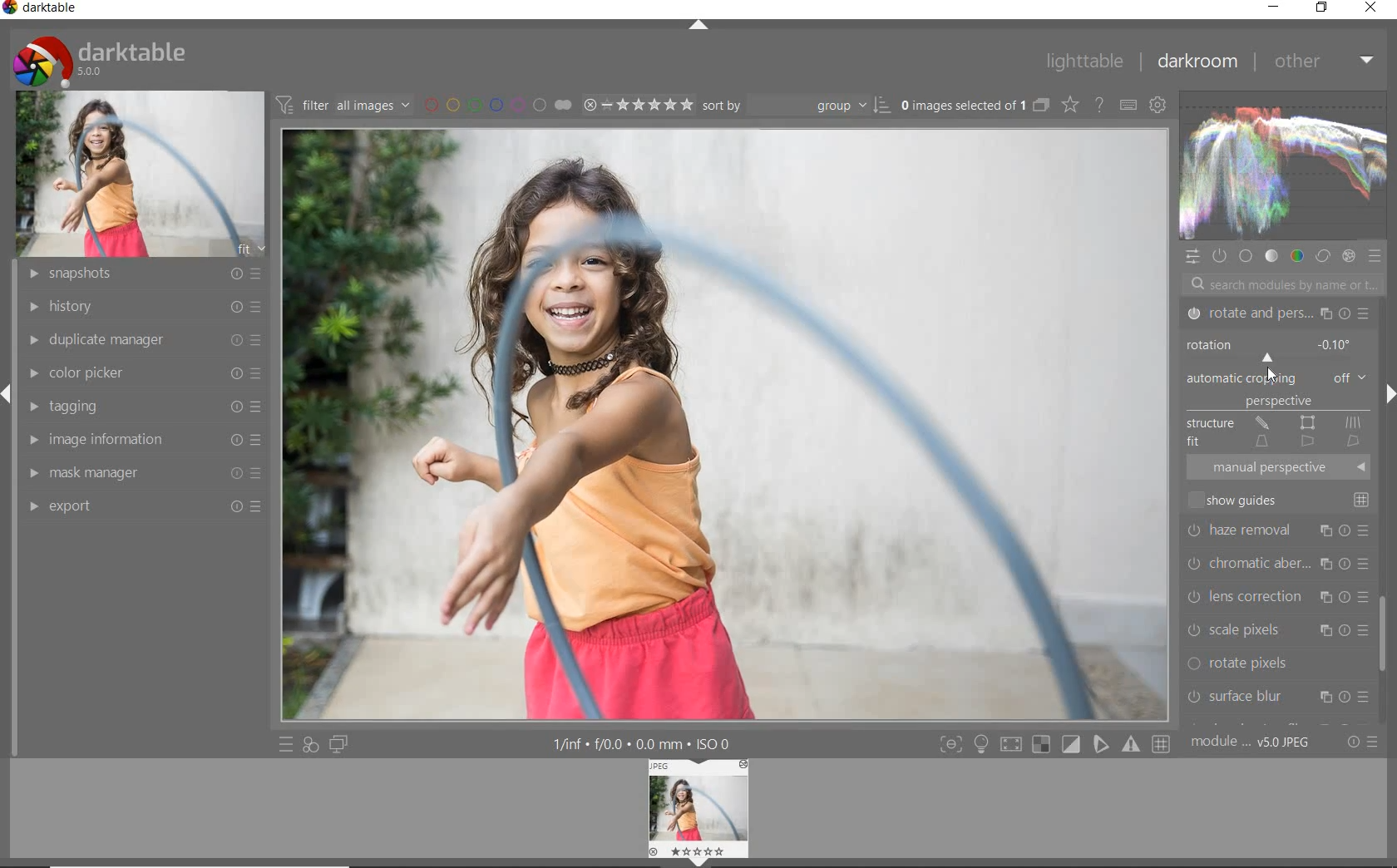 This screenshot has width=1397, height=868. What do you see at coordinates (1278, 698) in the screenshot?
I see `surface blur` at bounding box center [1278, 698].